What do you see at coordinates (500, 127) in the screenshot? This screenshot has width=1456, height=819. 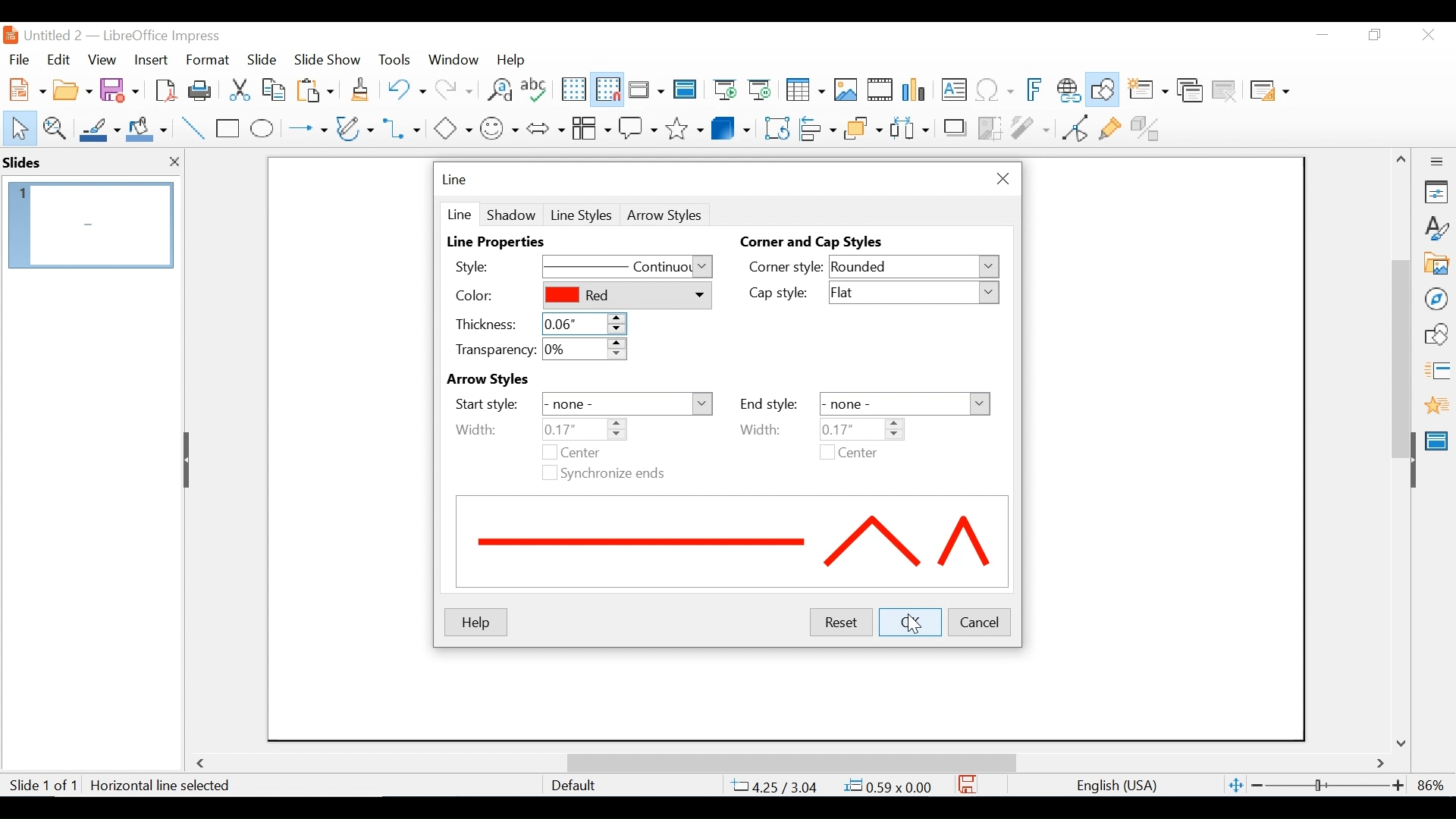 I see `Symbol shapes` at bounding box center [500, 127].